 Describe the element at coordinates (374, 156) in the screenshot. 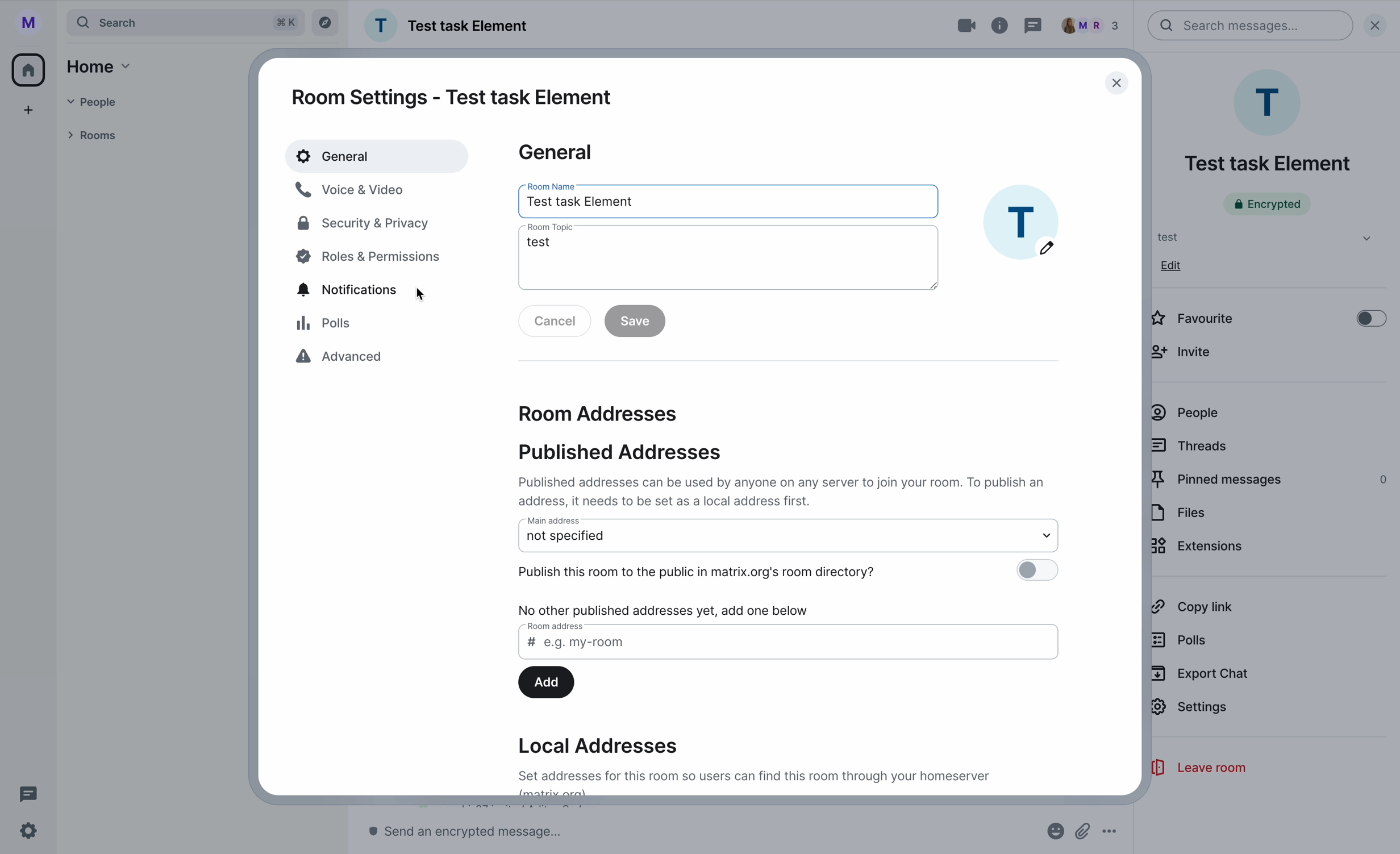

I see `general` at that location.